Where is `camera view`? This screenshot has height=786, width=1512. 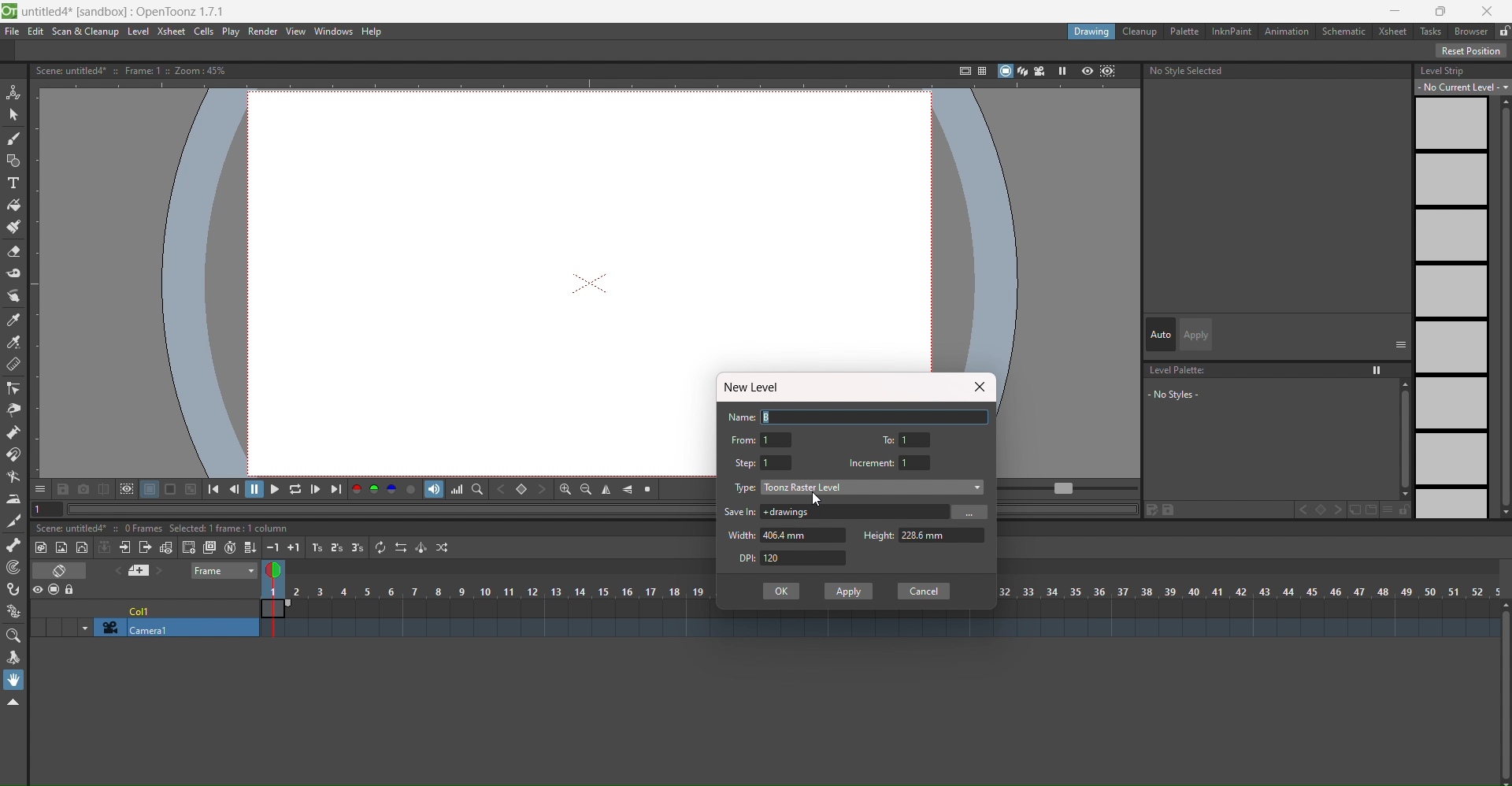
camera view is located at coordinates (1040, 71).